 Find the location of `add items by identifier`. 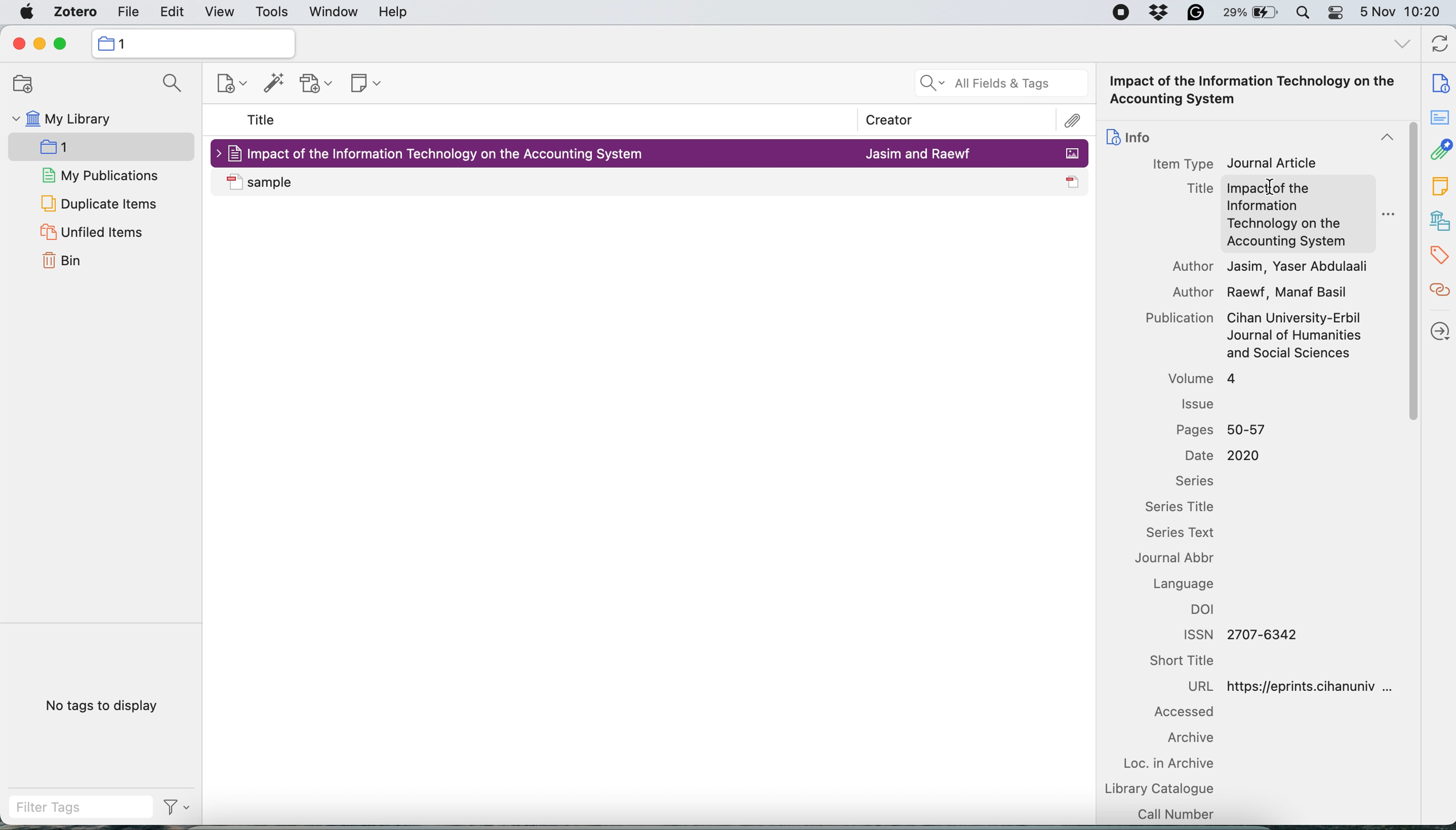

add items by identifier is located at coordinates (273, 84).